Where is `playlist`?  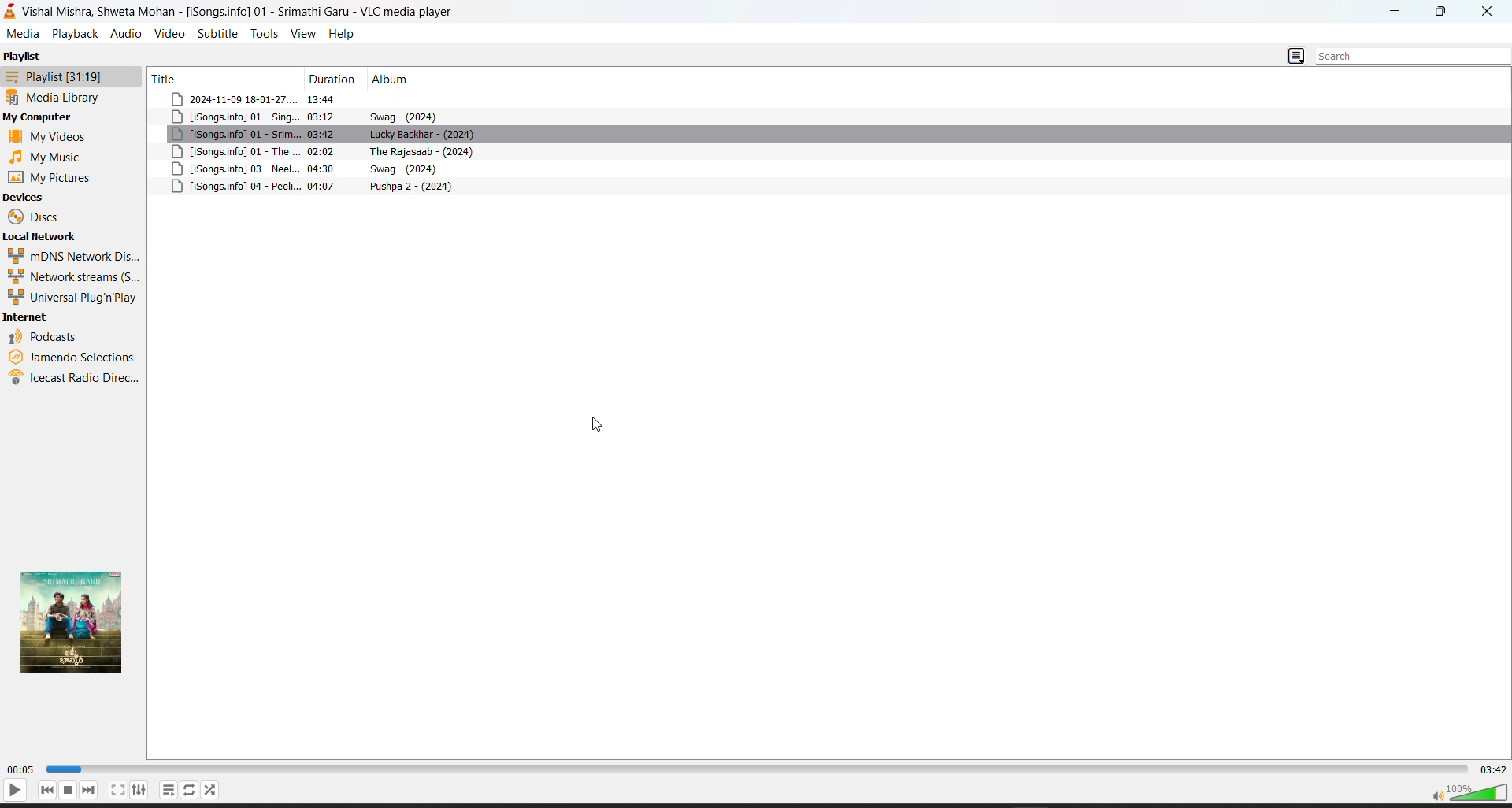
playlist is located at coordinates (190, 789).